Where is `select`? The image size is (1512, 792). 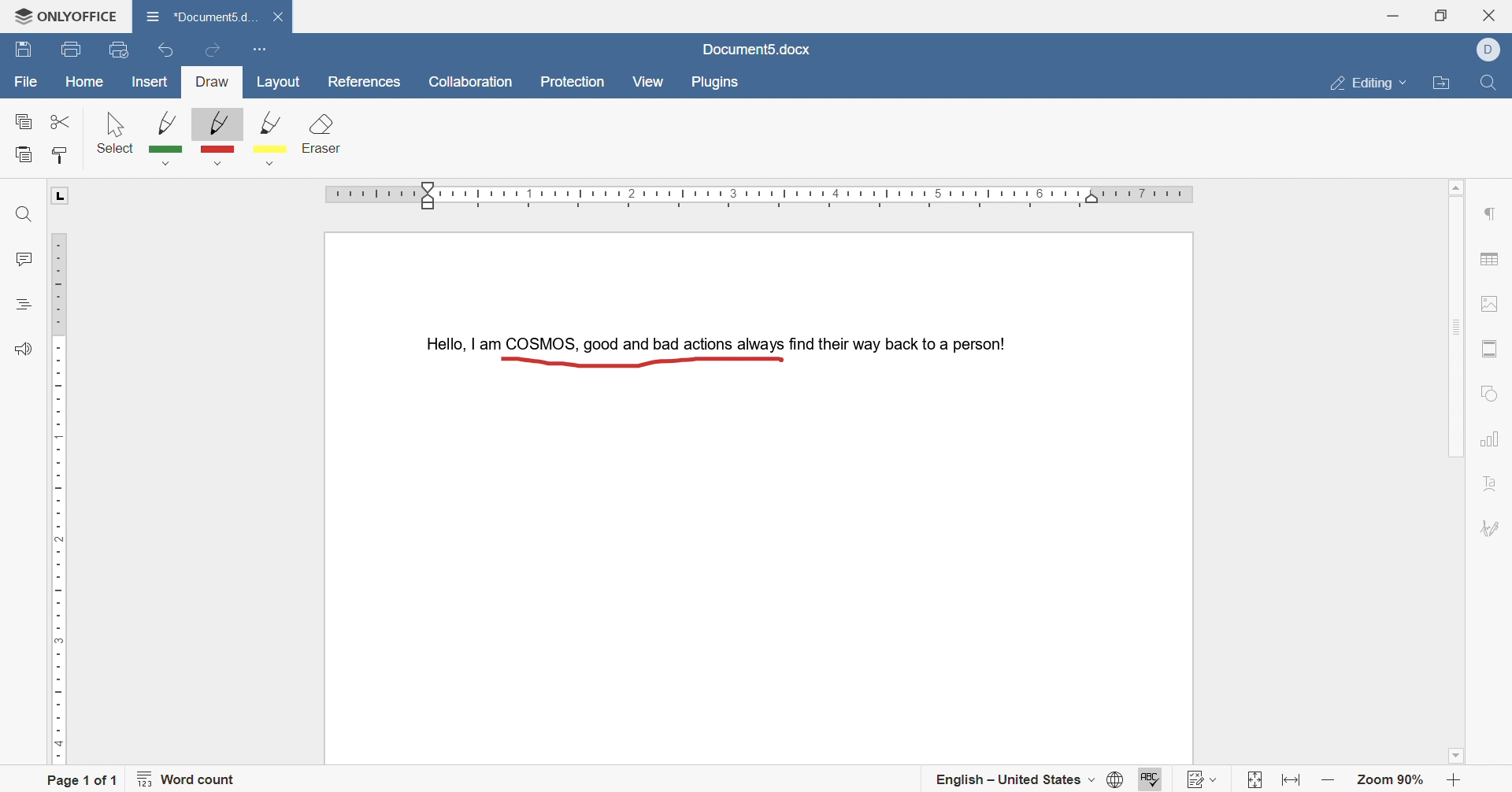
select is located at coordinates (116, 131).